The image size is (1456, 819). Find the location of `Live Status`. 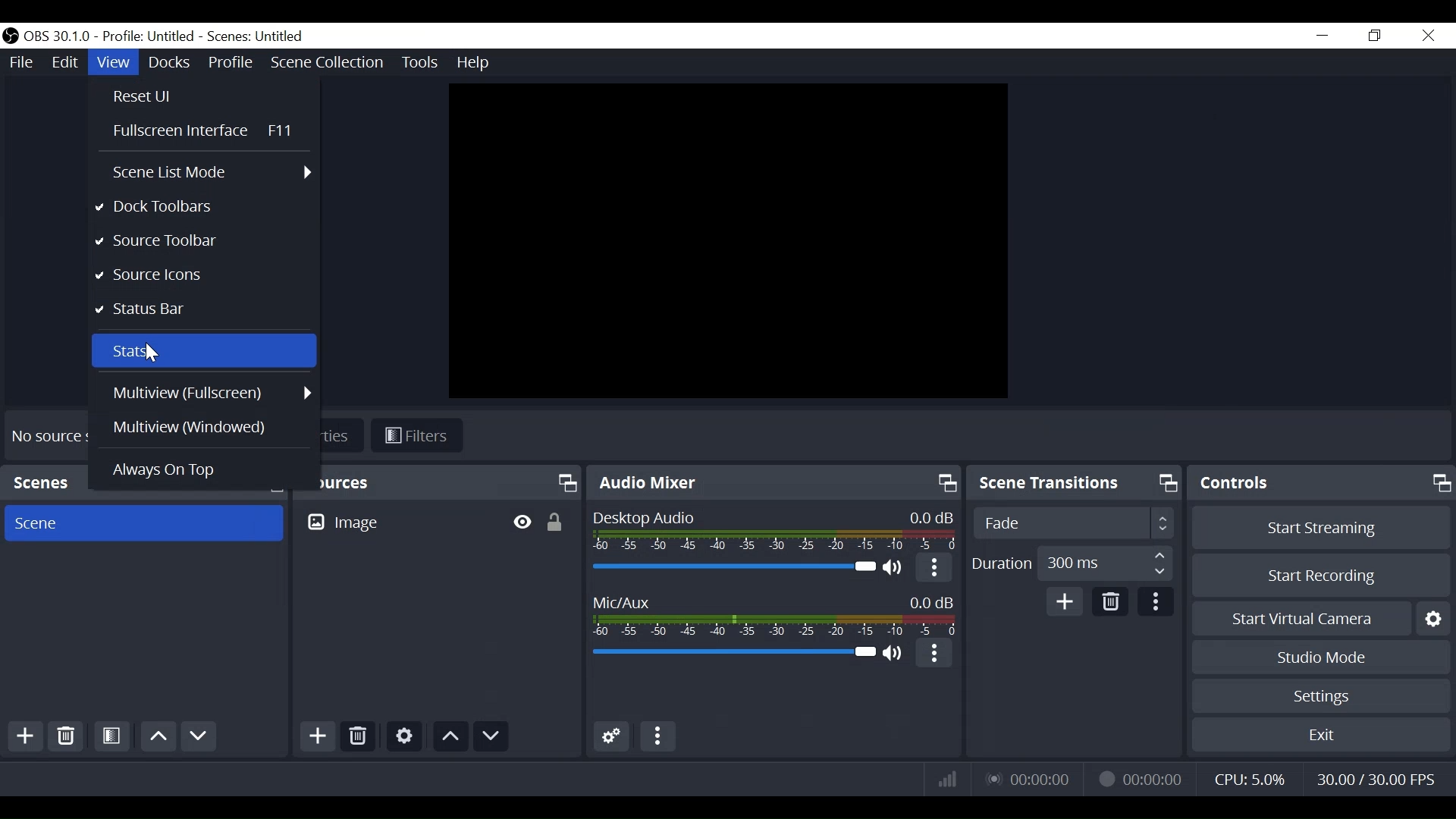

Live Status is located at coordinates (1031, 777).